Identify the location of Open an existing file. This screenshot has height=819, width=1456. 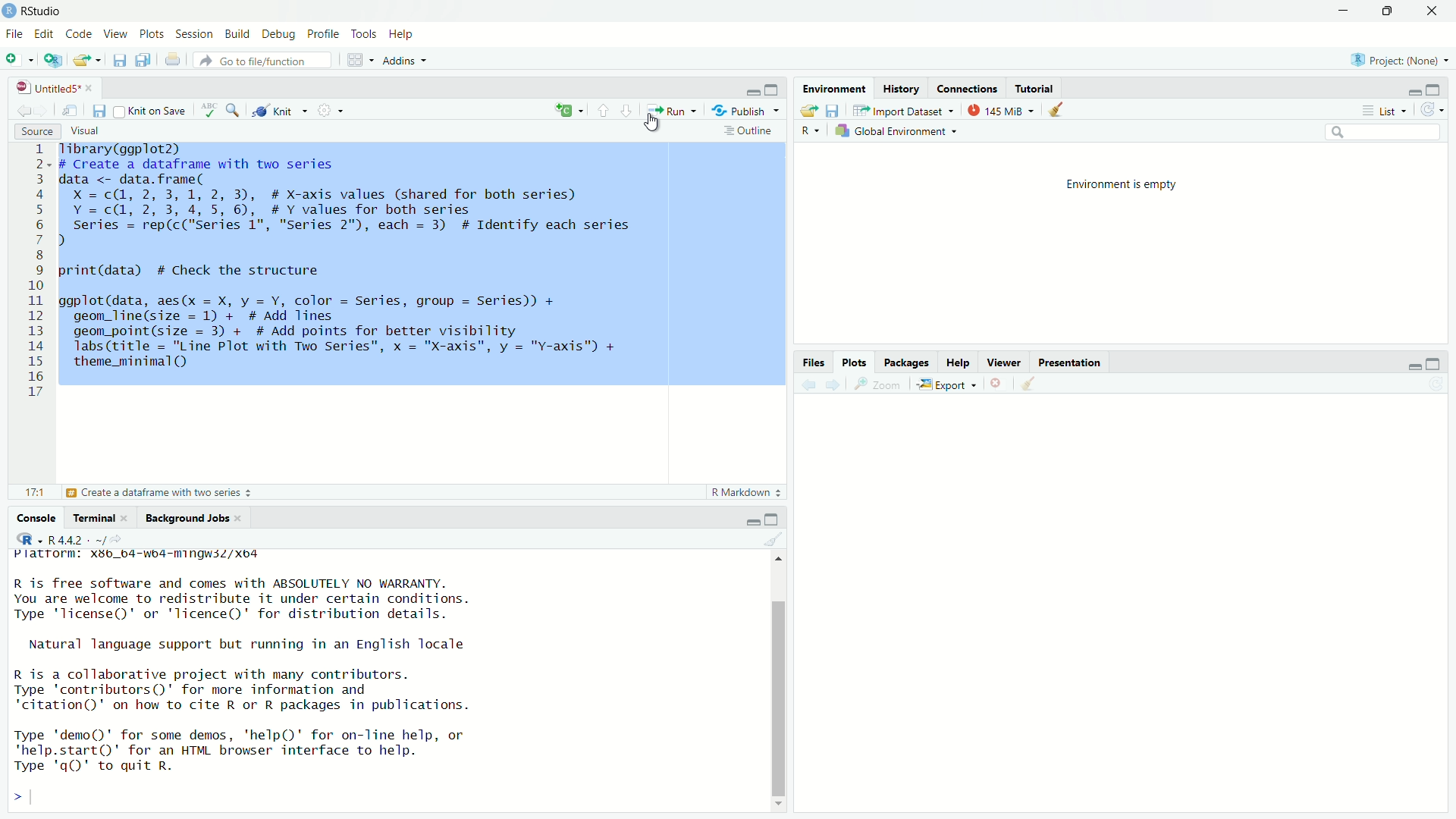
(86, 60).